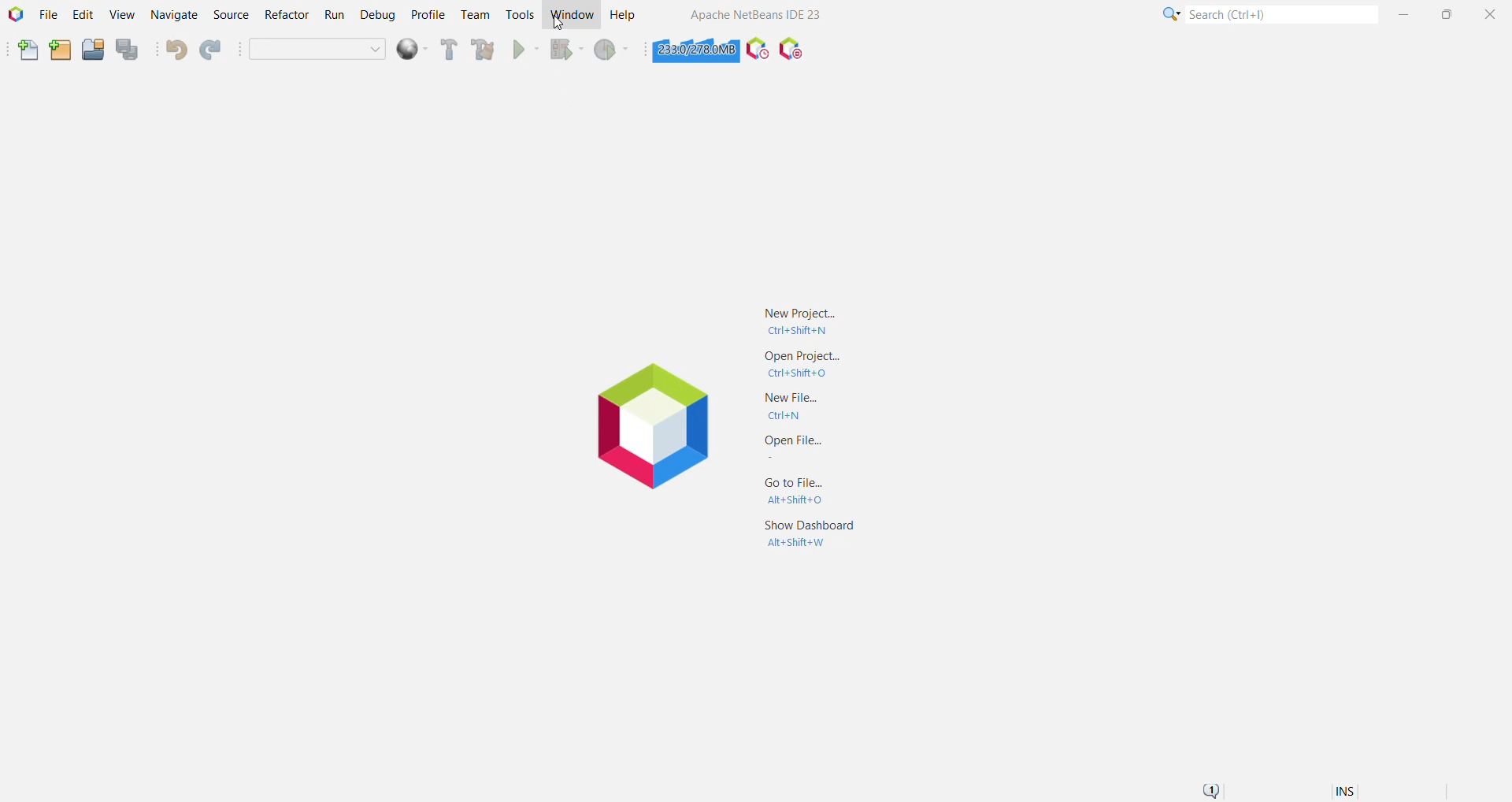 This screenshot has width=1512, height=802. What do you see at coordinates (333, 16) in the screenshot?
I see `Run` at bounding box center [333, 16].